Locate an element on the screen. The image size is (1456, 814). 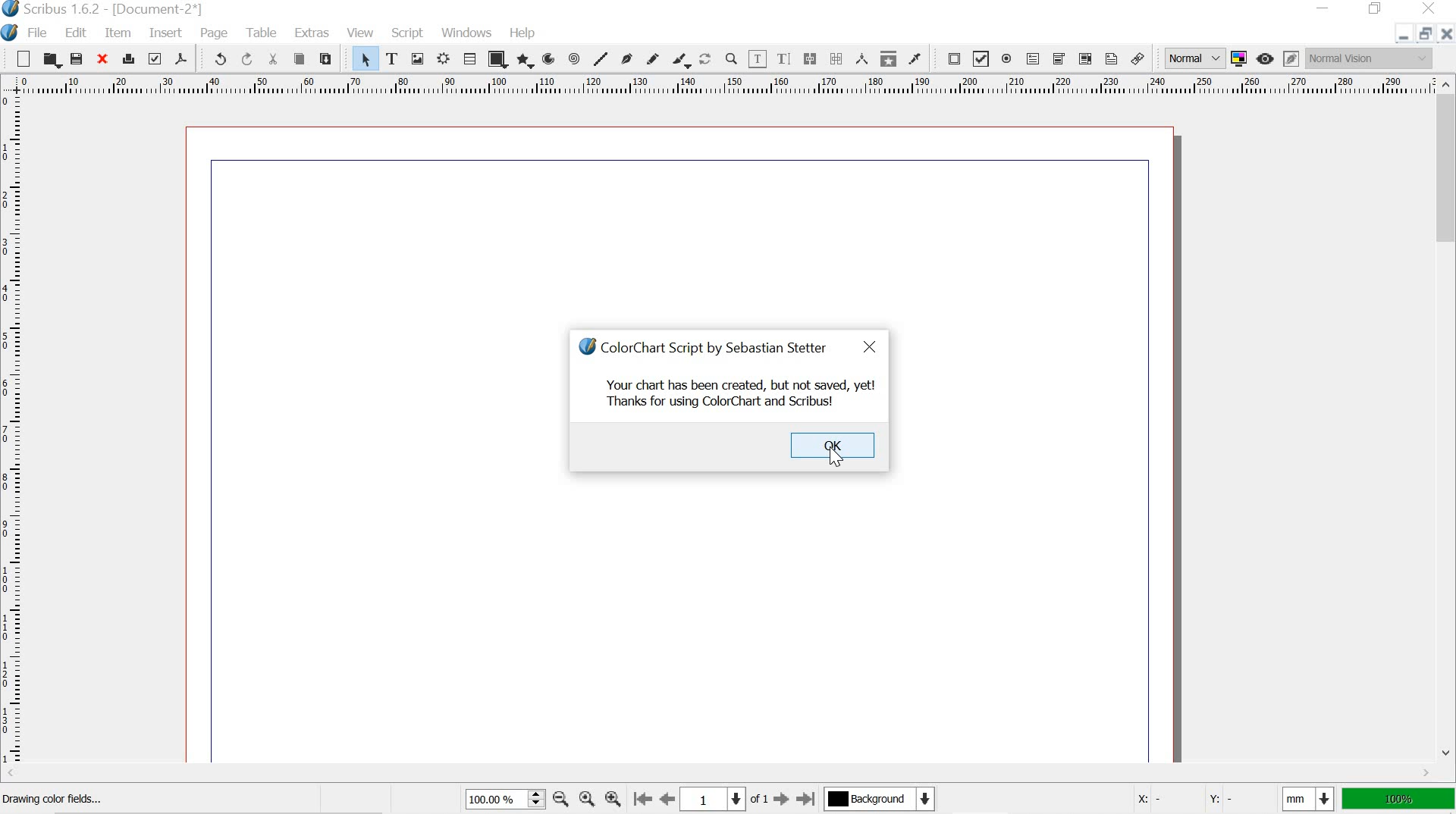
insert is located at coordinates (165, 33).